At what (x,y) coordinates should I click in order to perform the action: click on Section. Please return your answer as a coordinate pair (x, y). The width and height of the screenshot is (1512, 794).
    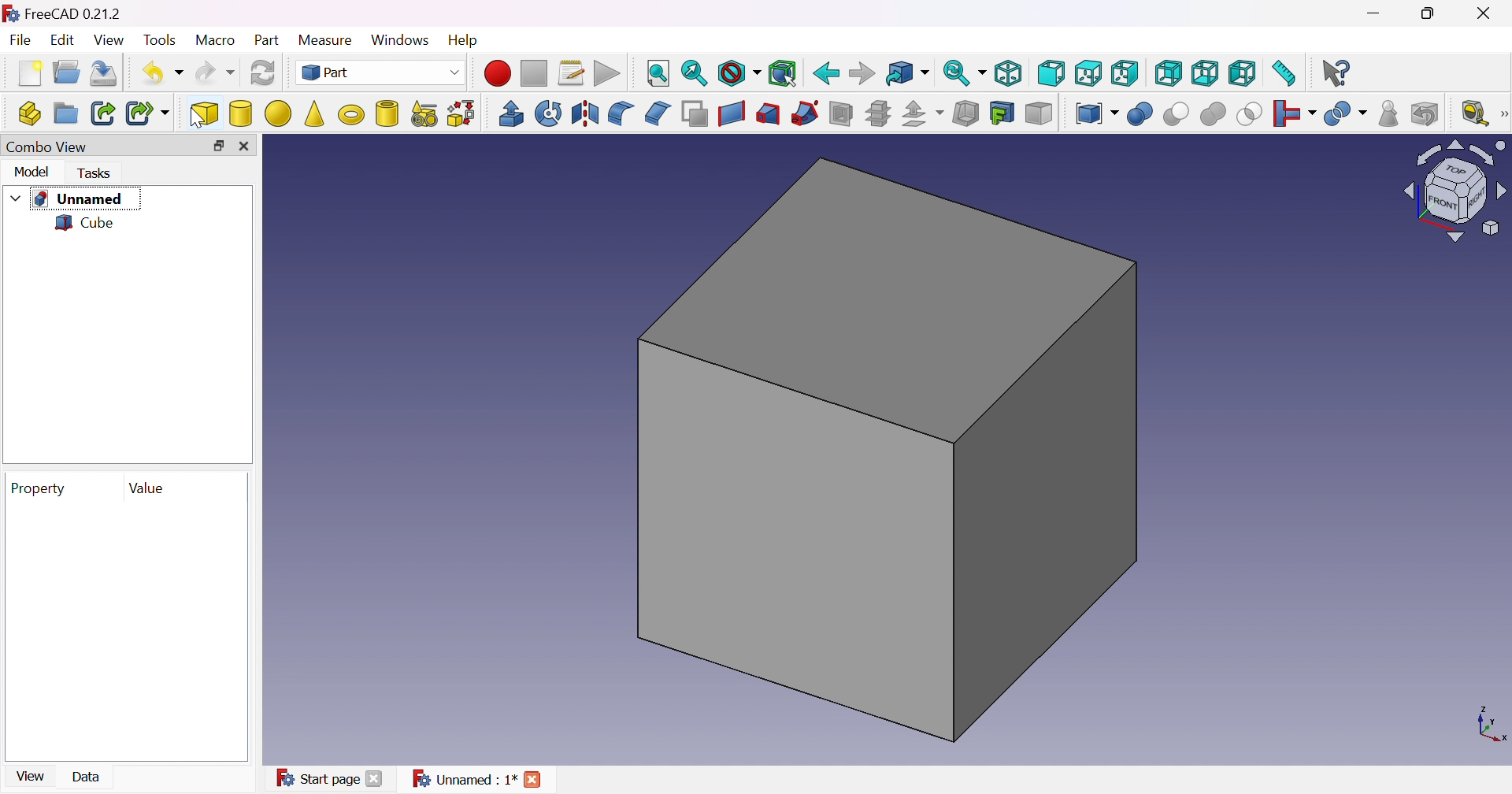
    Looking at the image, I should click on (839, 113).